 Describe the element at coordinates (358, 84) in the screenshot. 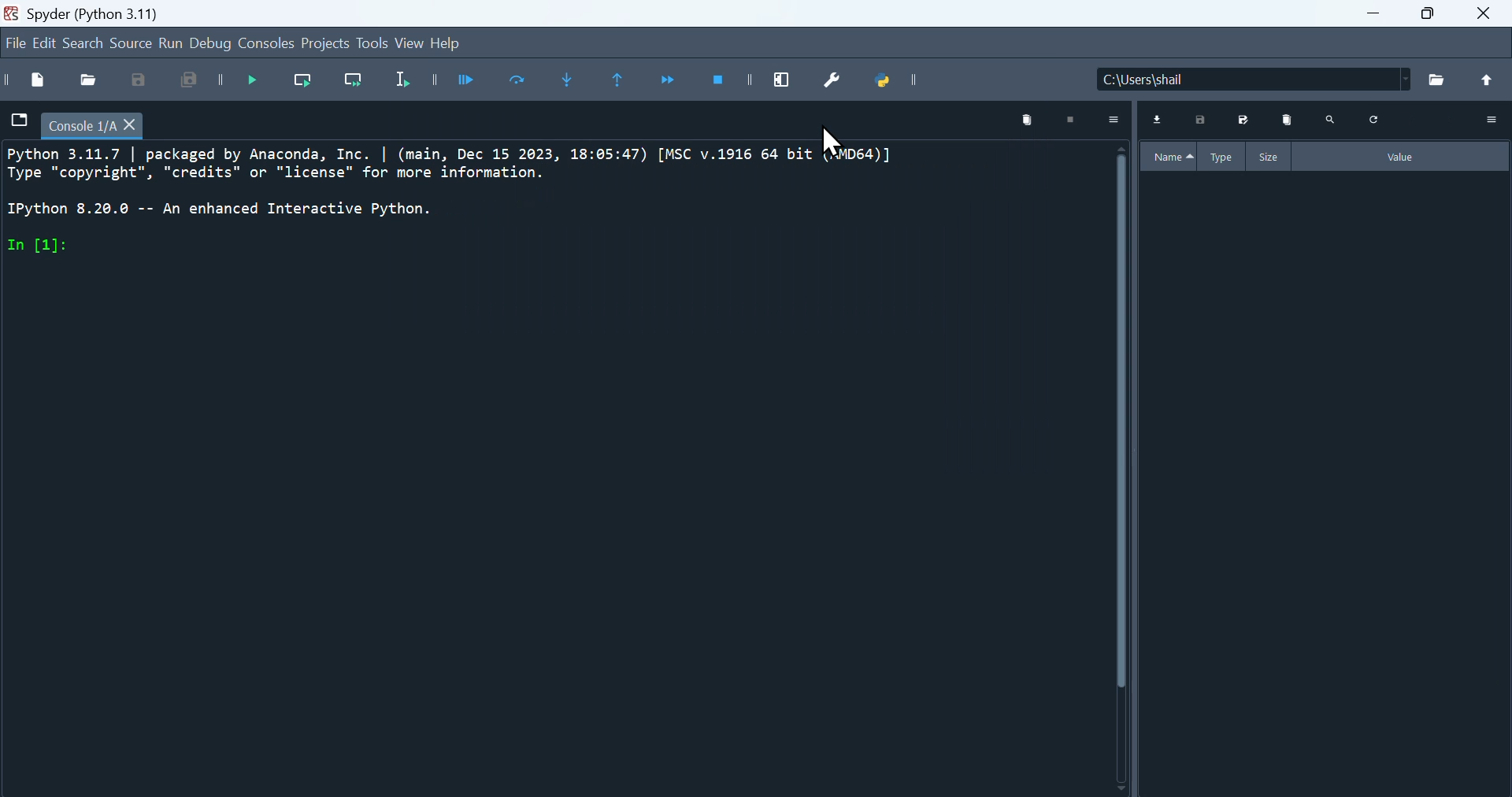

I see `Run current line and go to the next one` at that location.